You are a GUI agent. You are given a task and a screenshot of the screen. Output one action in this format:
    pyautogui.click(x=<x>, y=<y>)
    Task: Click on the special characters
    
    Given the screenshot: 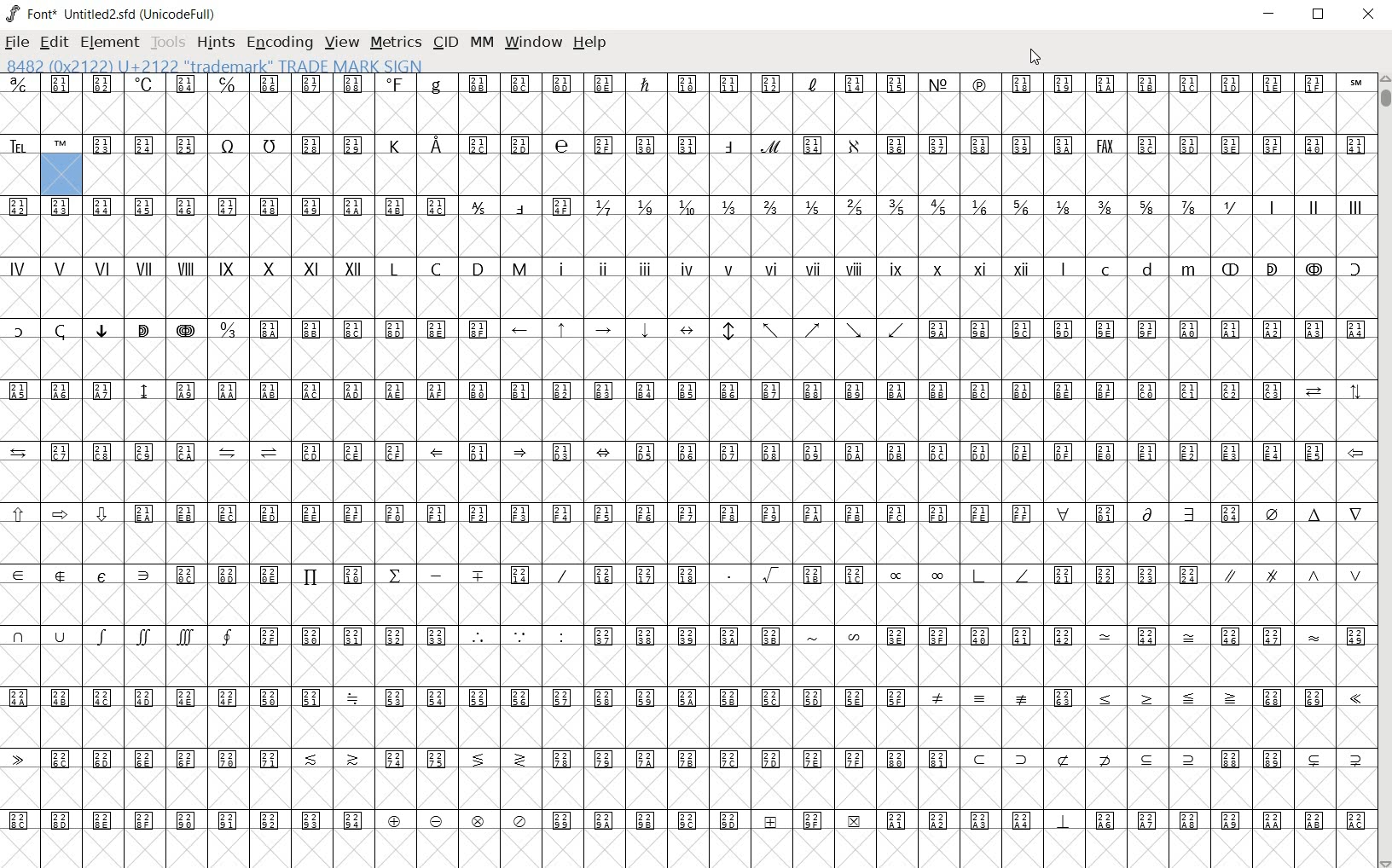 What is the action you would take?
    pyautogui.click(x=123, y=349)
    